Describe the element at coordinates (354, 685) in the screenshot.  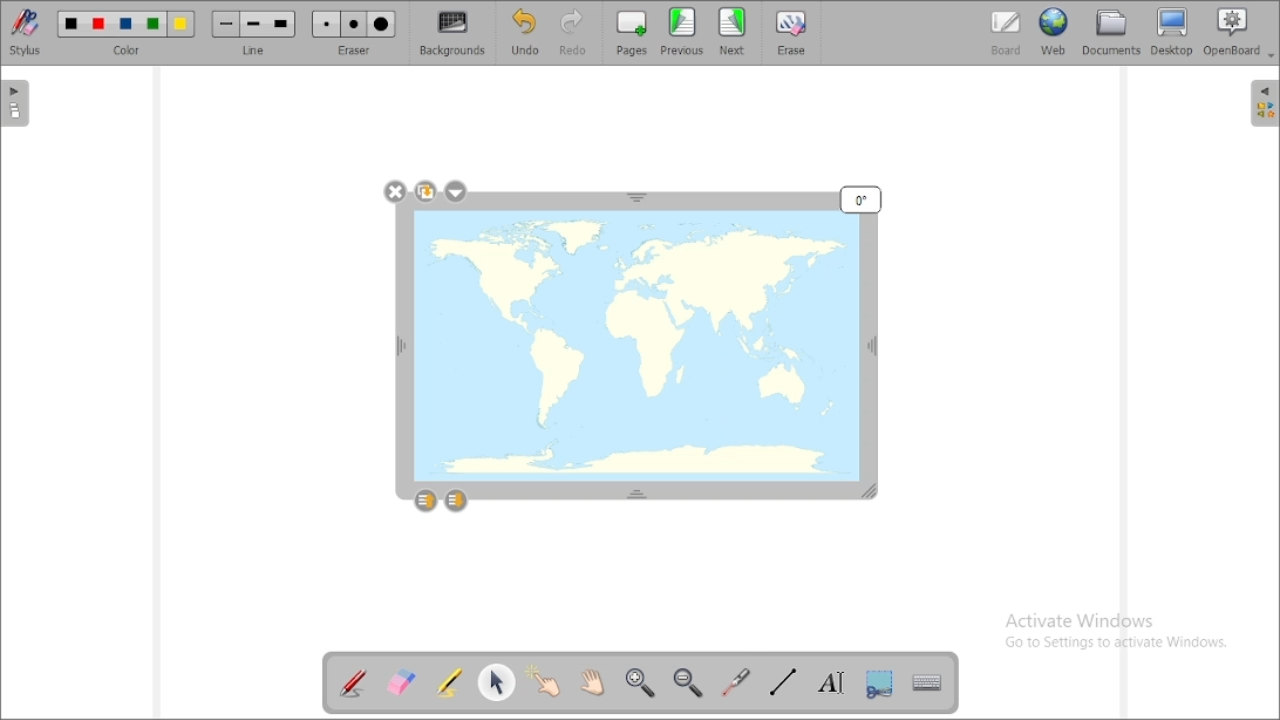
I see `annotate document` at that location.